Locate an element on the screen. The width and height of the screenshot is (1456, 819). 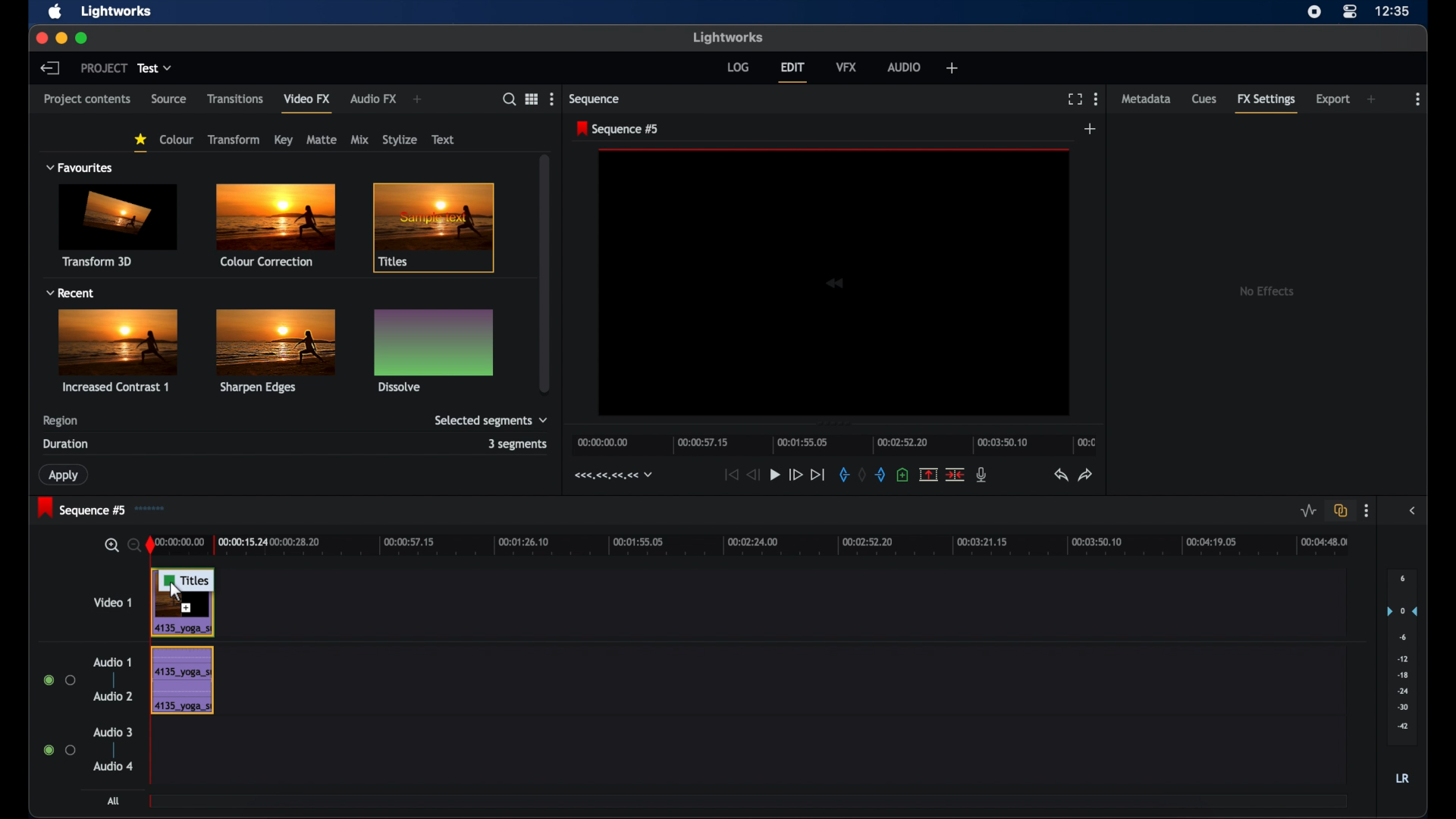
maximize is located at coordinates (83, 39).